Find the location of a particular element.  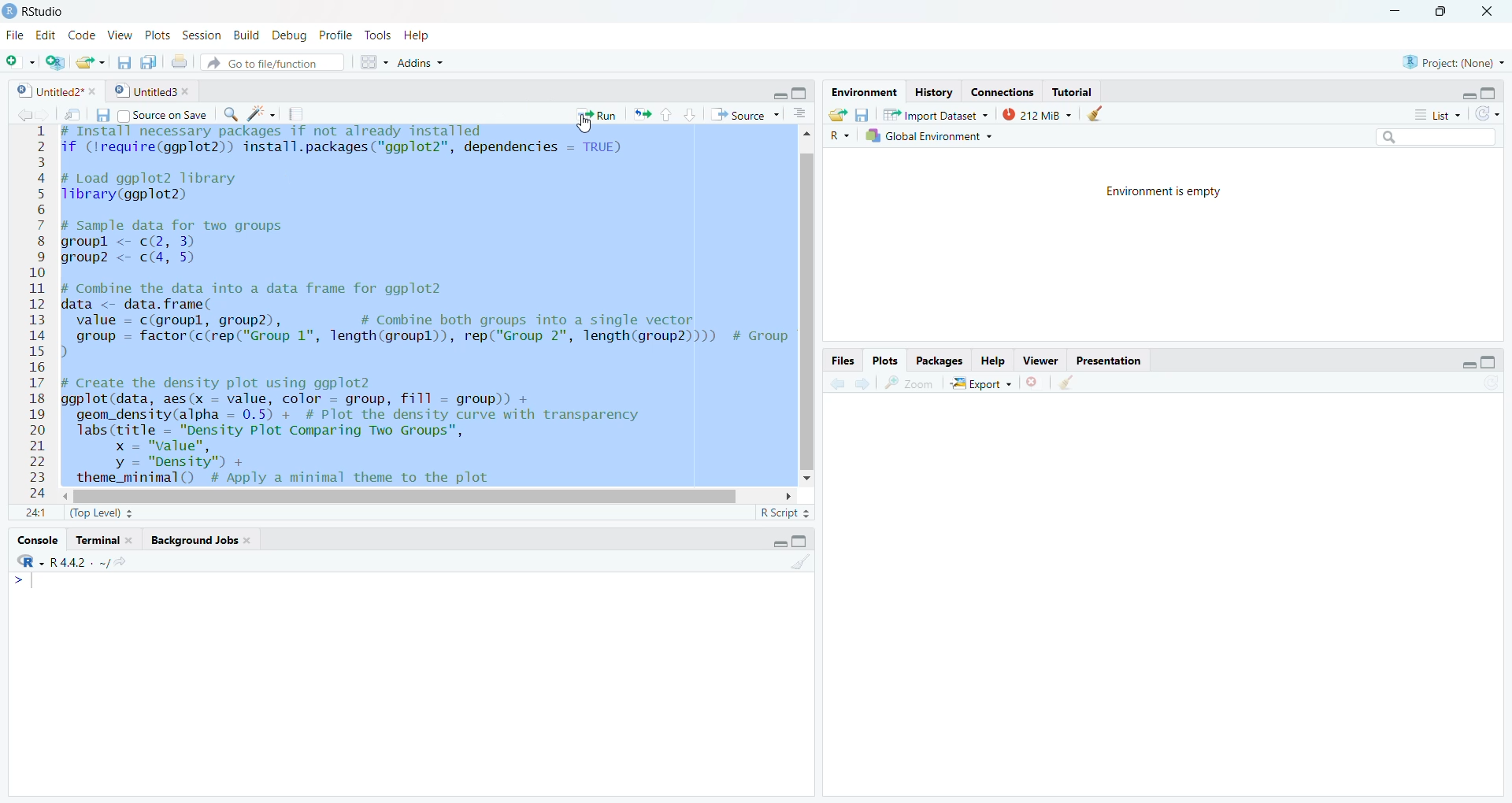

close is located at coordinates (1037, 381).